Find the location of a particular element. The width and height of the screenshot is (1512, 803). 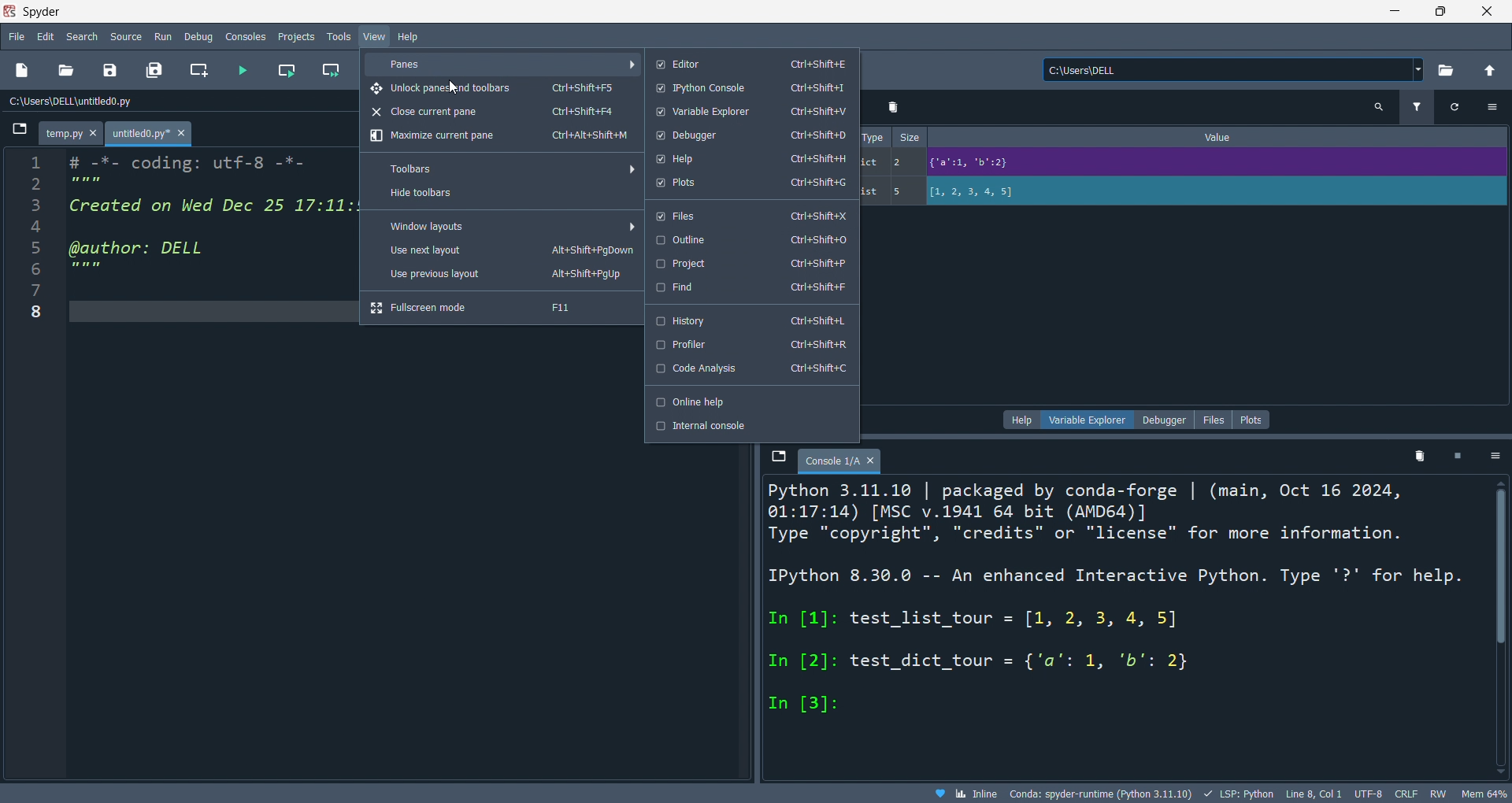

help is located at coordinates (1023, 420).